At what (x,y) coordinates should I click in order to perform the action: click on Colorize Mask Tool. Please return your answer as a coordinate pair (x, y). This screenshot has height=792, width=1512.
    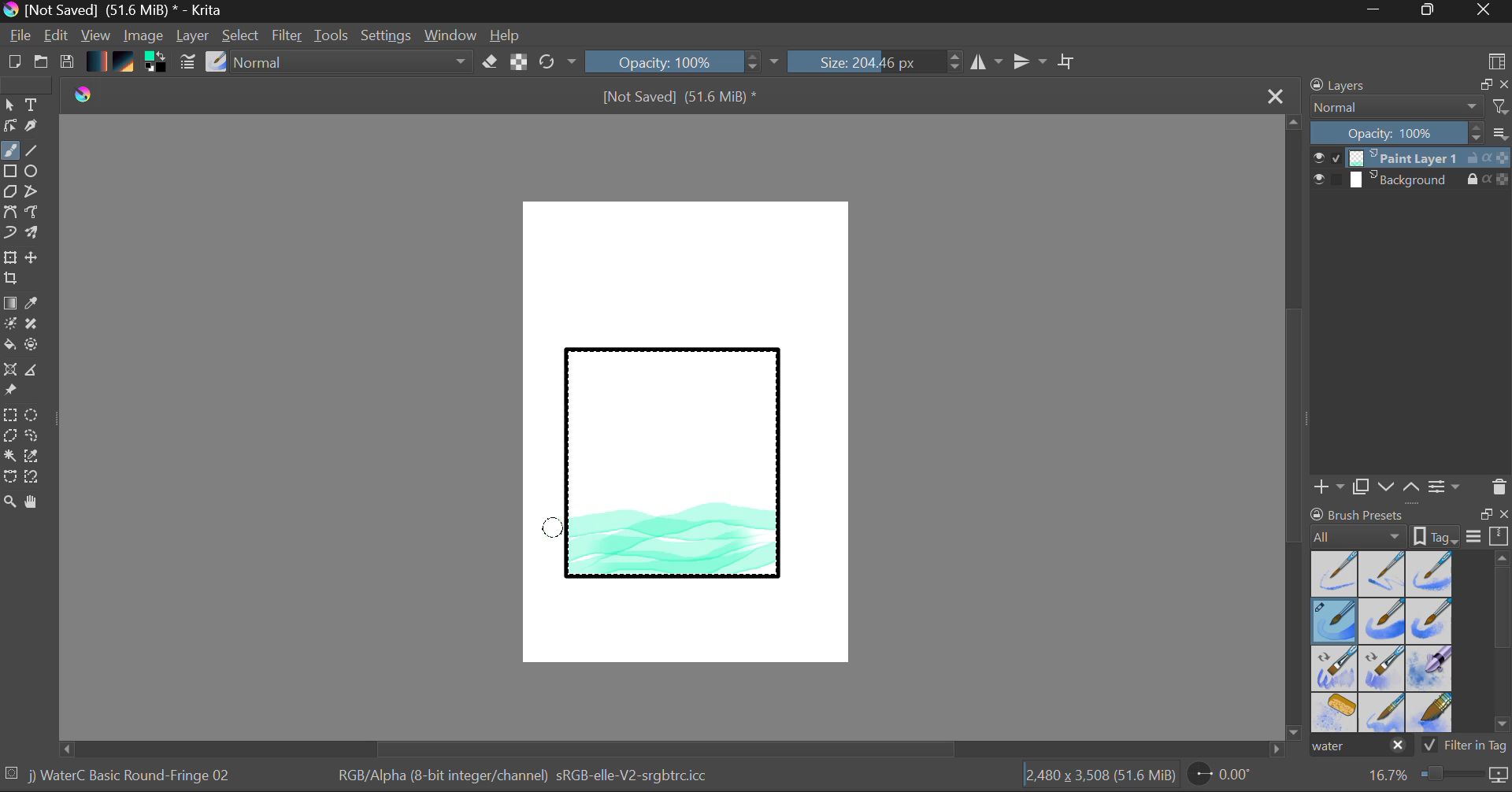
    Looking at the image, I should click on (11, 325).